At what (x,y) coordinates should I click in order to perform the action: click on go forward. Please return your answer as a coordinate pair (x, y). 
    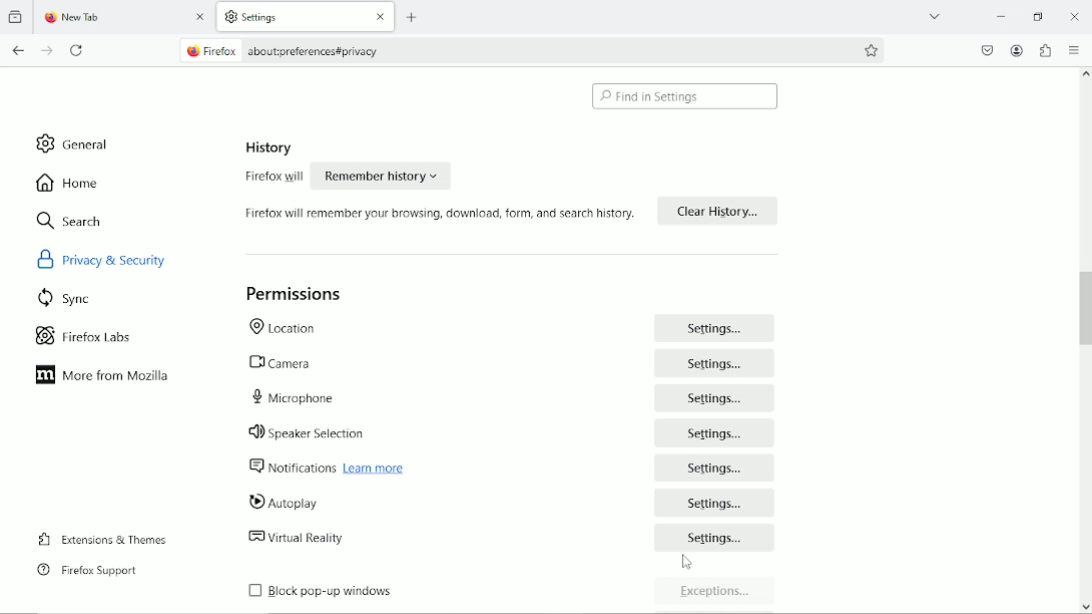
    Looking at the image, I should click on (48, 51).